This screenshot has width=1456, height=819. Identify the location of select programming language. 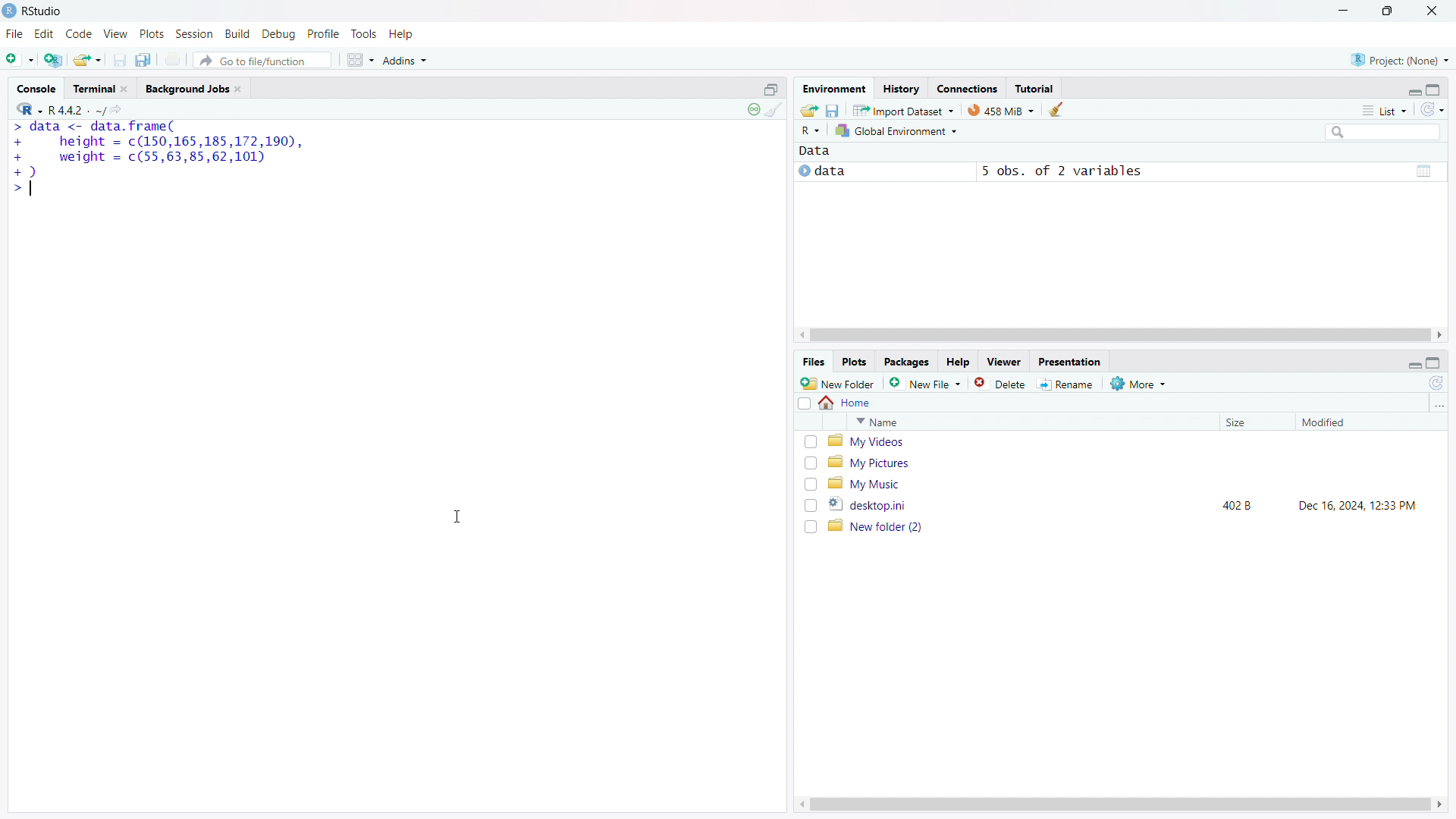
(29, 108).